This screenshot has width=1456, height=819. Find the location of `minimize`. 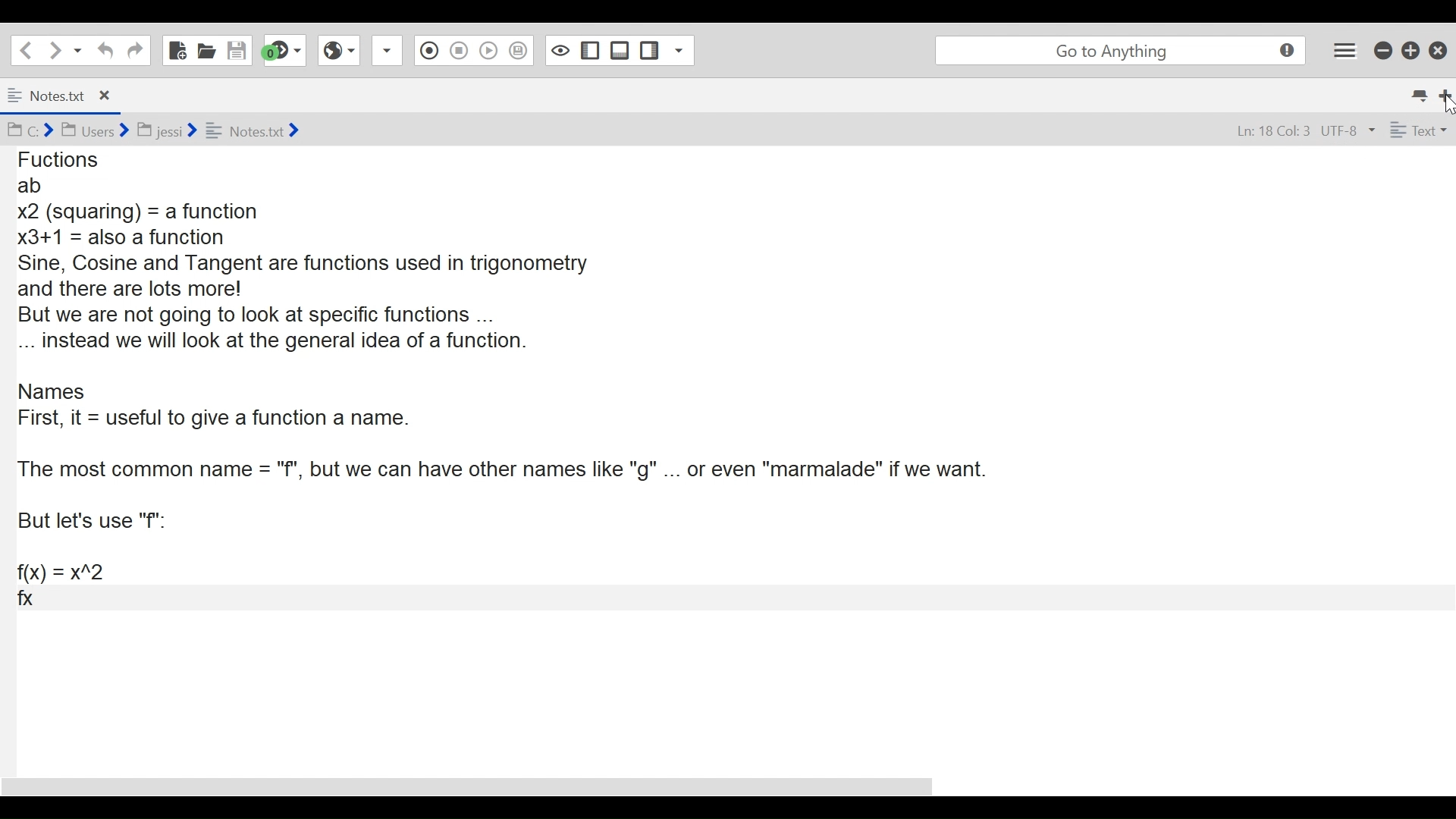

minimize is located at coordinates (1382, 50).